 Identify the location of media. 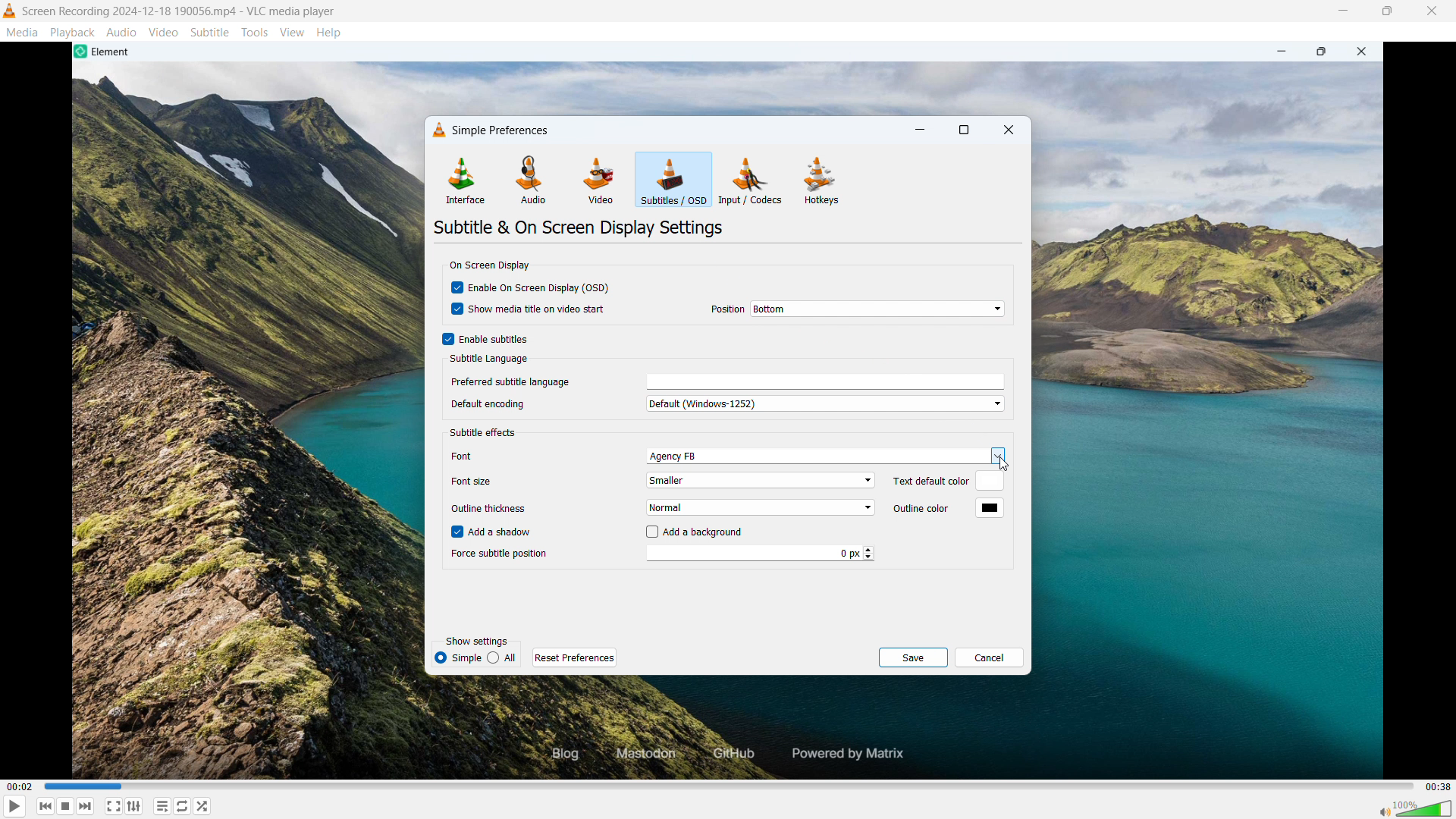
(23, 32).